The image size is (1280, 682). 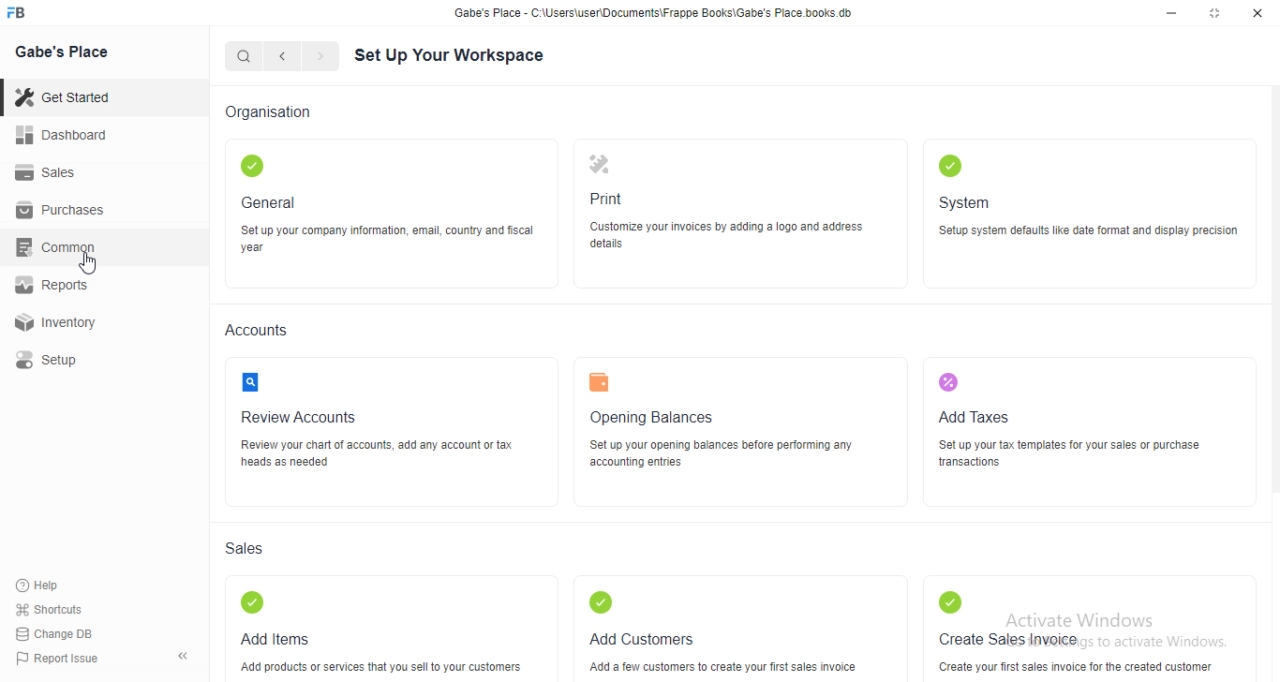 I want to click on cursor, so click(x=90, y=263).